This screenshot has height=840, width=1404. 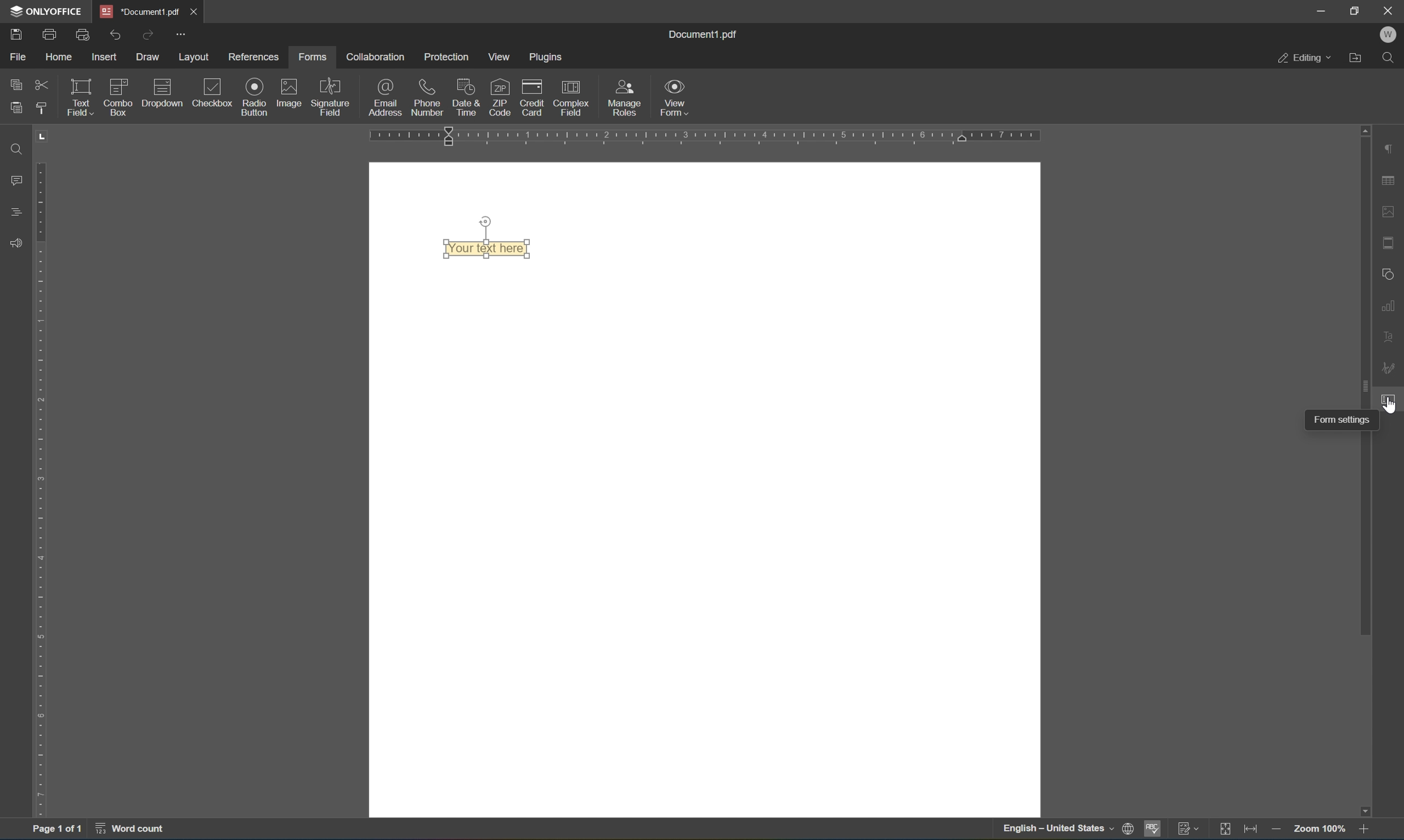 What do you see at coordinates (1392, 397) in the screenshot?
I see `form settings` at bounding box center [1392, 397].